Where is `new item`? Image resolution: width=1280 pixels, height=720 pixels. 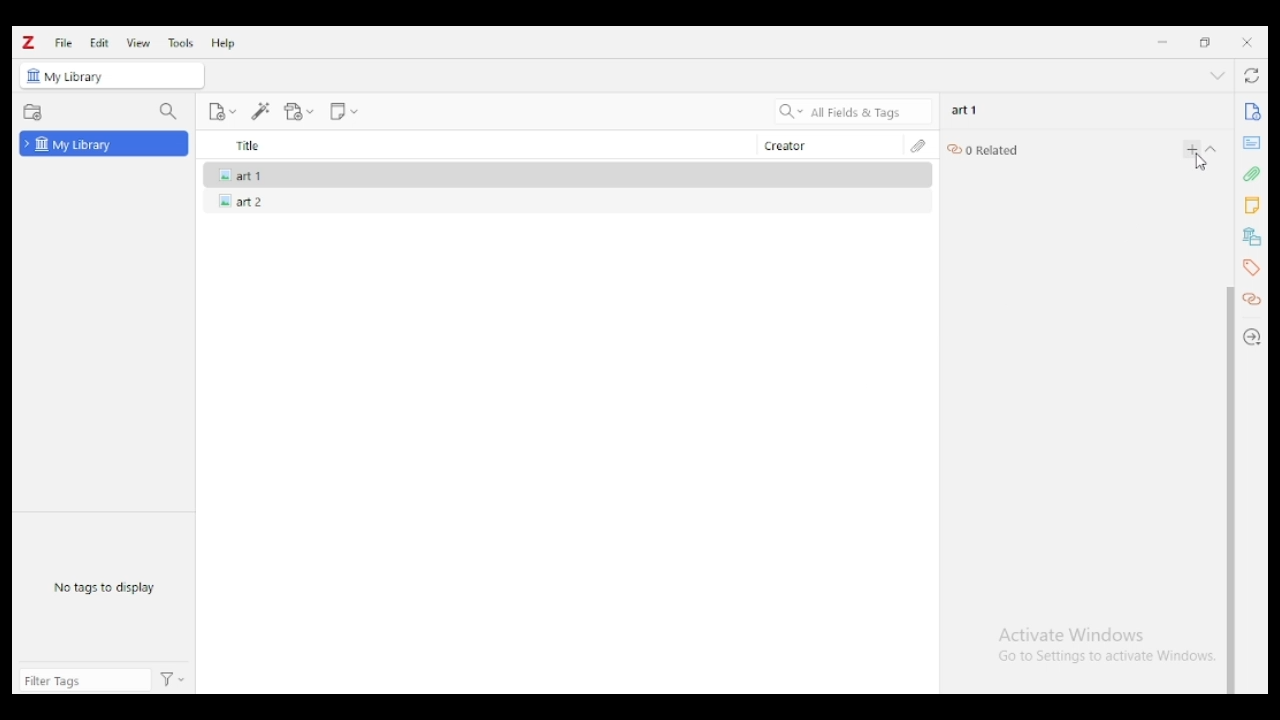
new item is located at coordinates (222, 111).